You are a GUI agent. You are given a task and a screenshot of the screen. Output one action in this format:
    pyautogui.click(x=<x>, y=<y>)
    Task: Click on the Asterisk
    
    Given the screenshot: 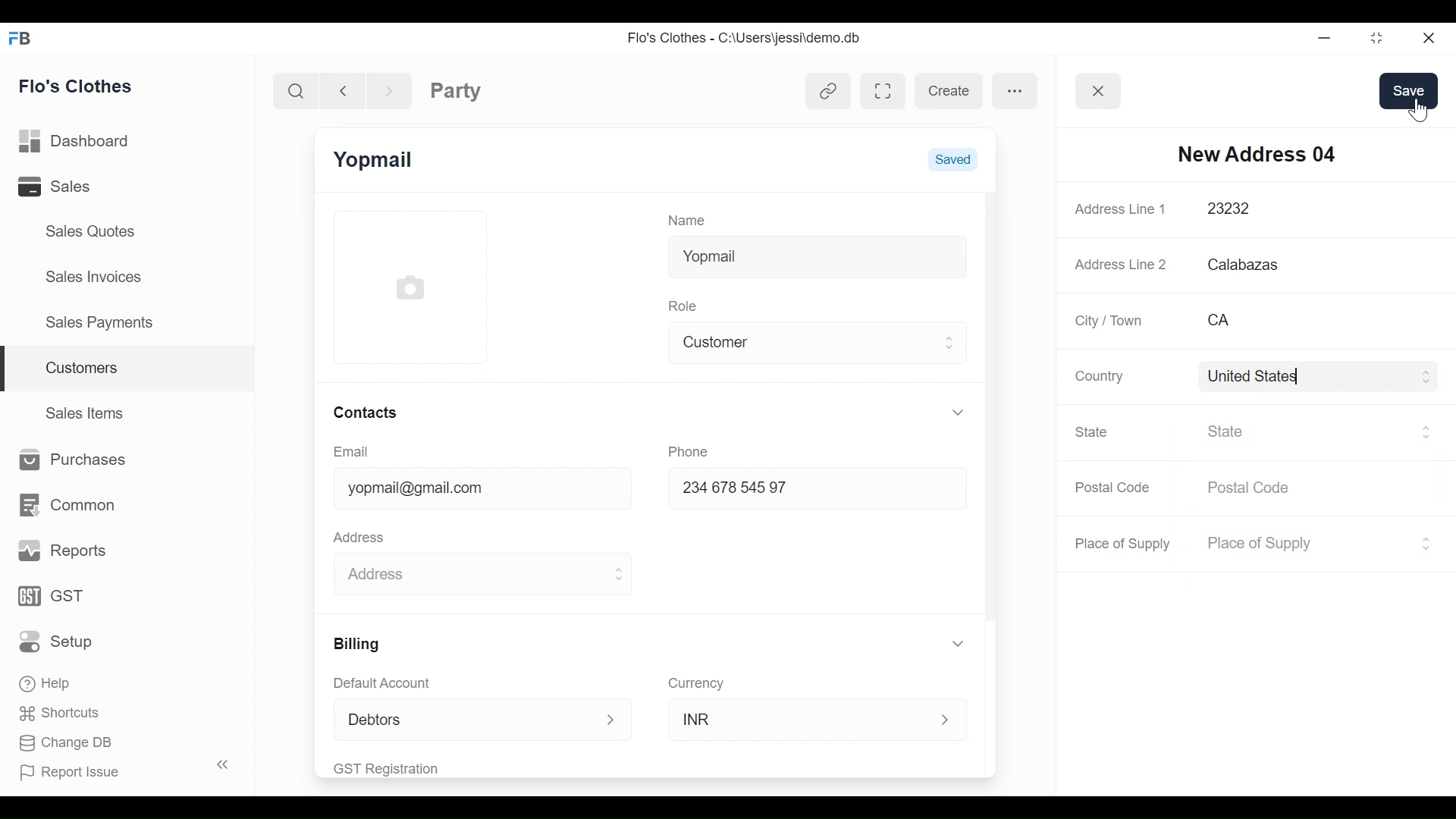 What is the action you would take?
    pyautogui.click(x=1422, y=209)
    